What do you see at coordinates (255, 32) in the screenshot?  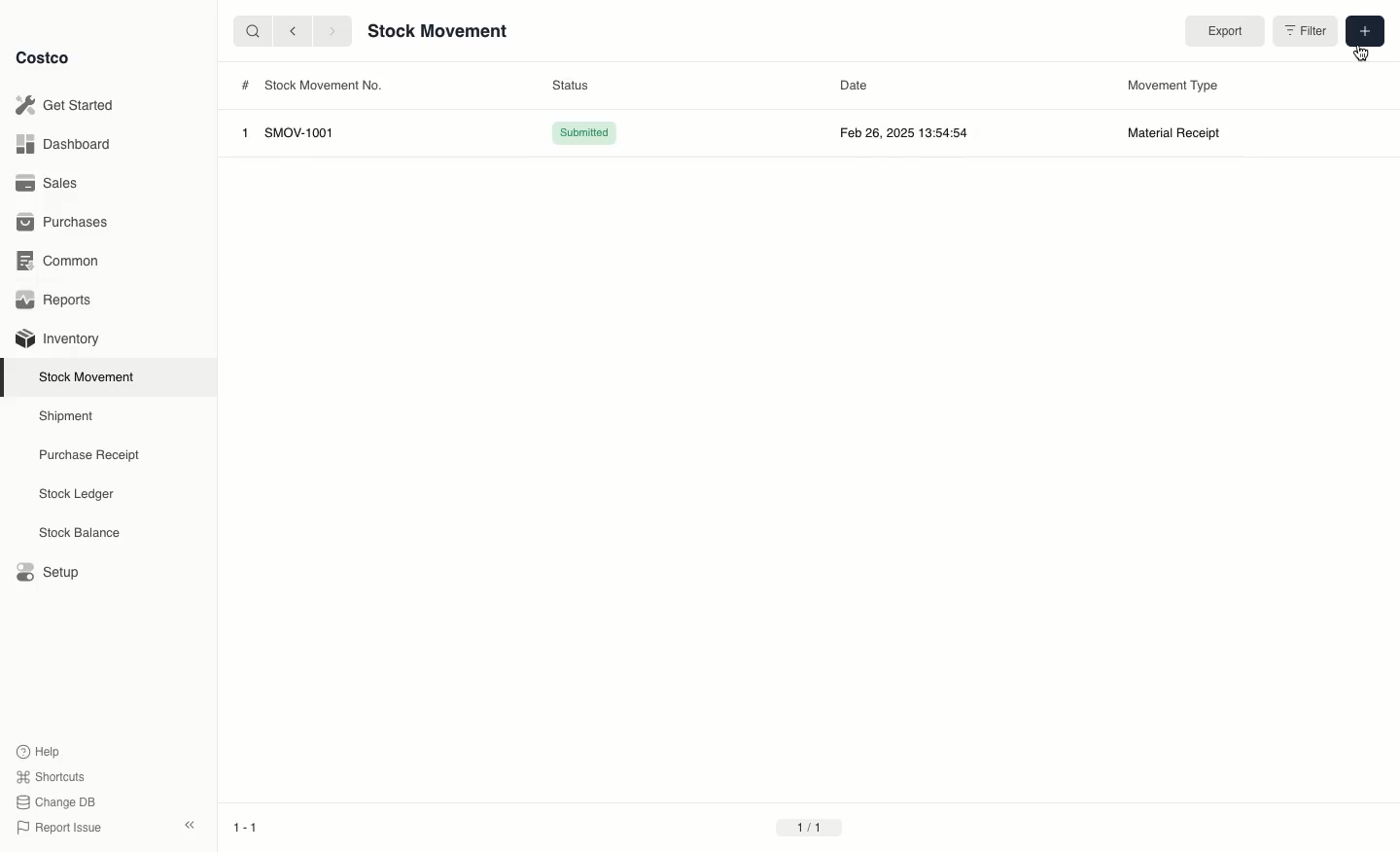 I see `search` at bounding box center [255, 32].